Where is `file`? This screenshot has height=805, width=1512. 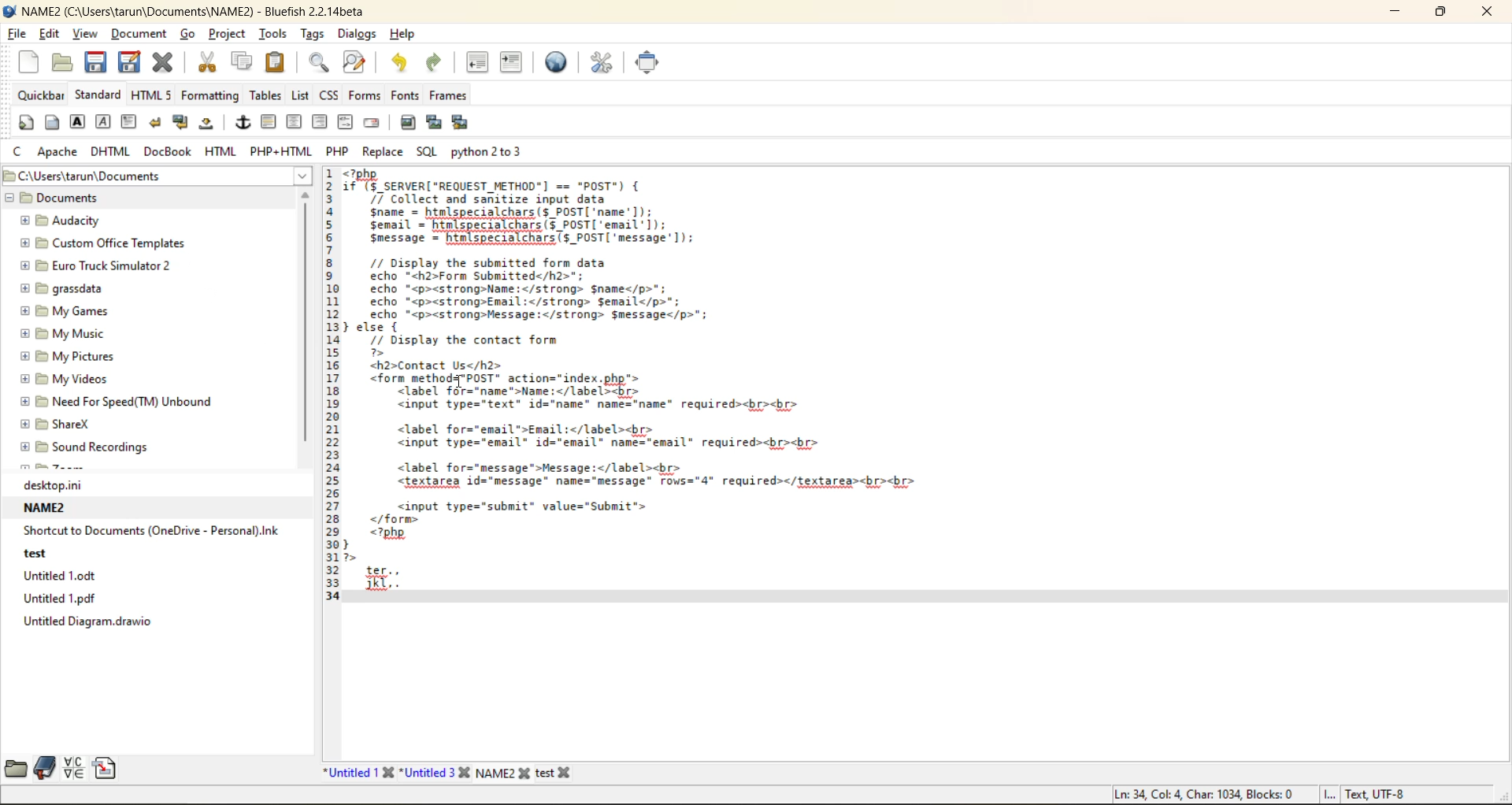 file is located at coordinates (17, 32).